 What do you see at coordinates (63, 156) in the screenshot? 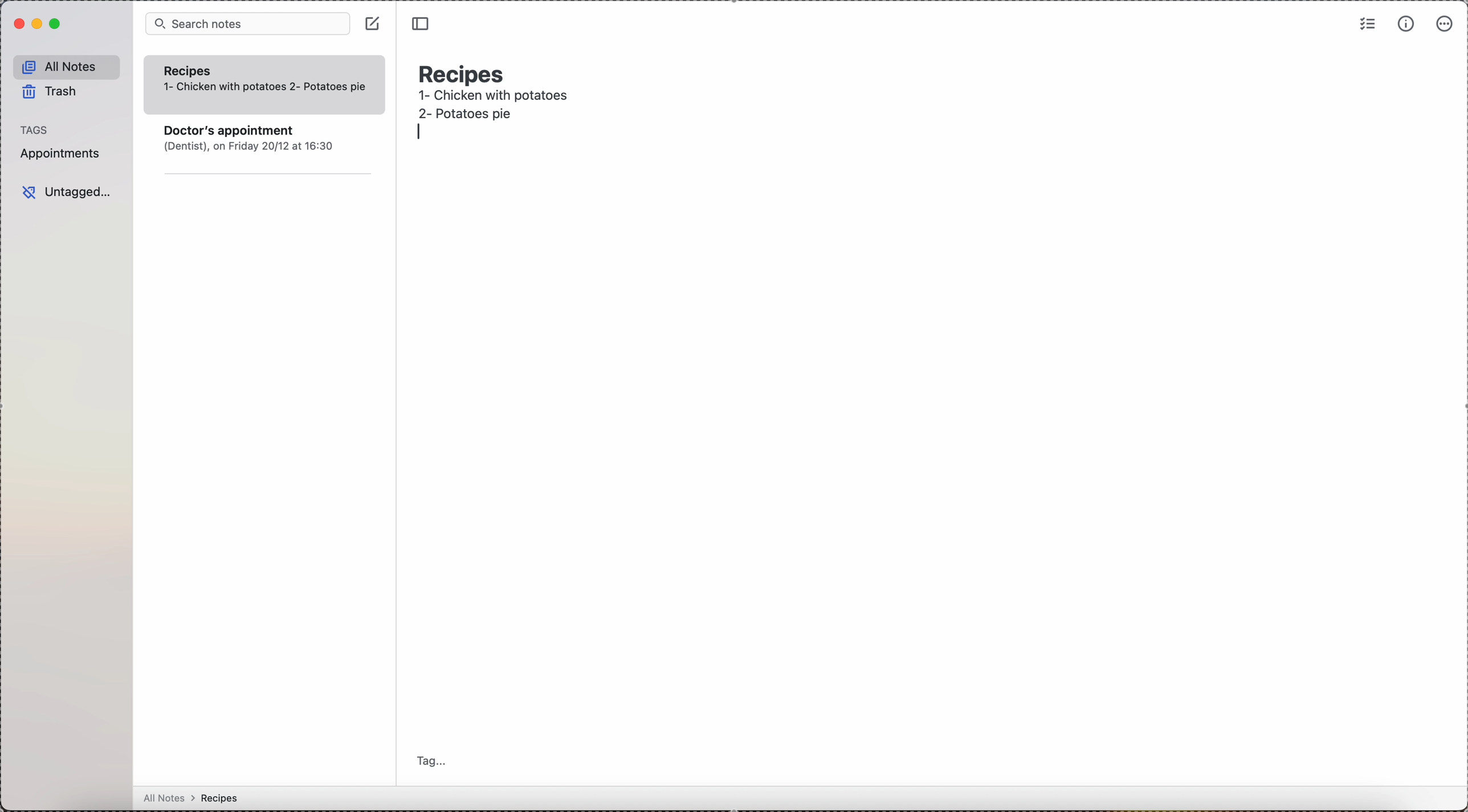
I see `appointments tag` at bounding box center [63, 156].